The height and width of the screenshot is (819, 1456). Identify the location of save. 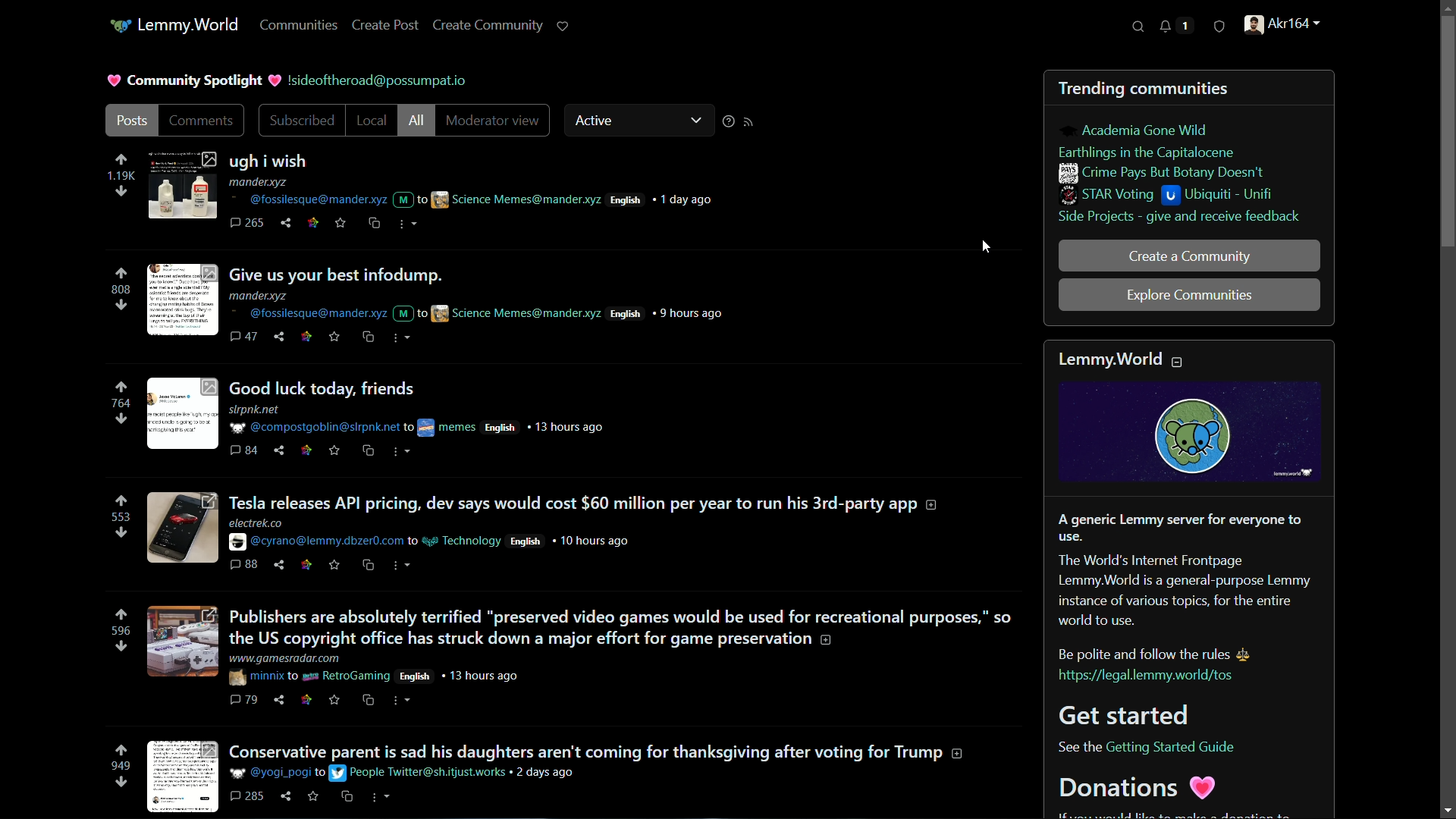
(315, 799).